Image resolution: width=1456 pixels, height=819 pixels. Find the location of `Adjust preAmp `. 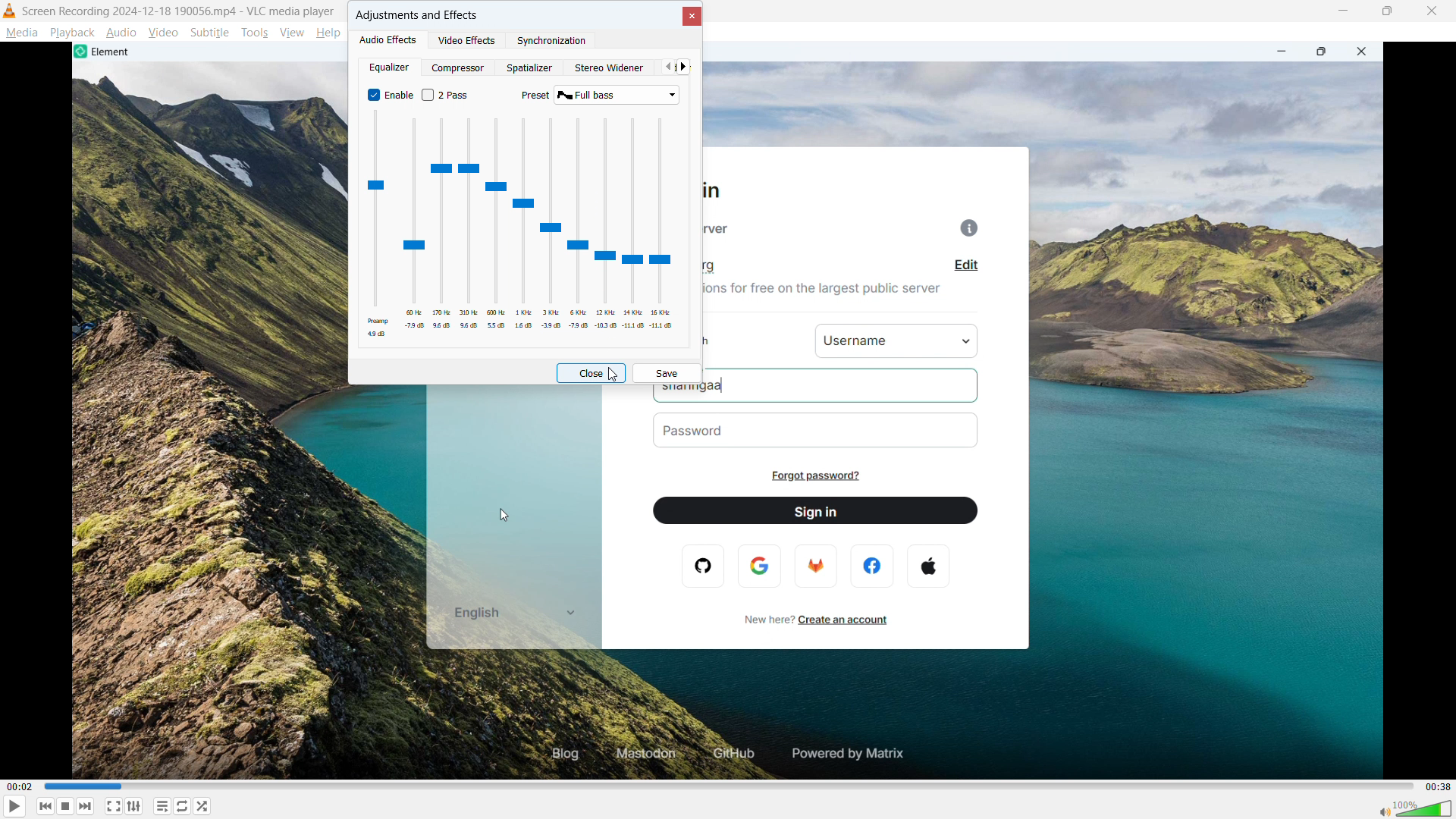

Adjust preAmp  is located at coordinates (377, 224).